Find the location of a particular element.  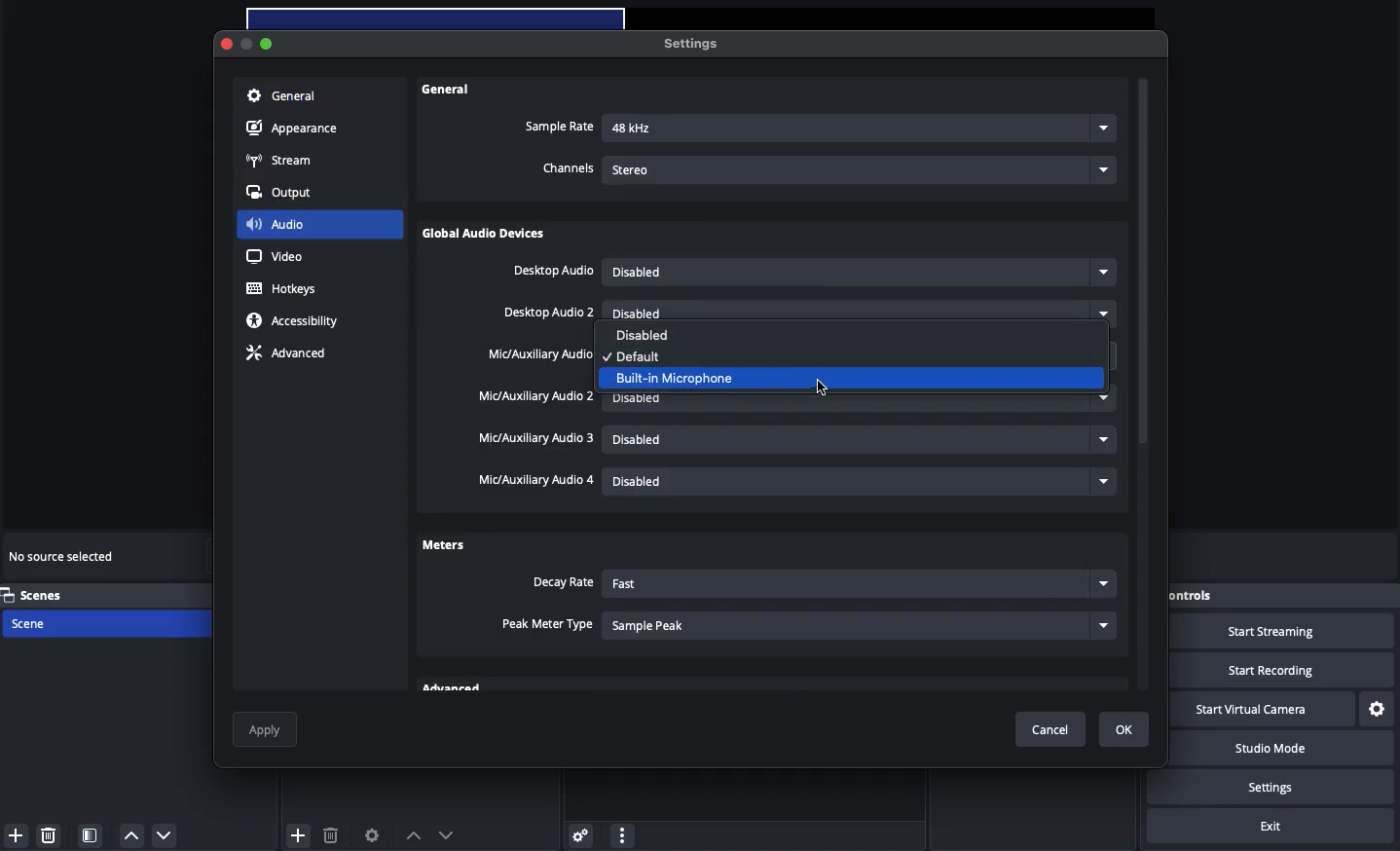

Sample rate is located at coordinates (559, 127).